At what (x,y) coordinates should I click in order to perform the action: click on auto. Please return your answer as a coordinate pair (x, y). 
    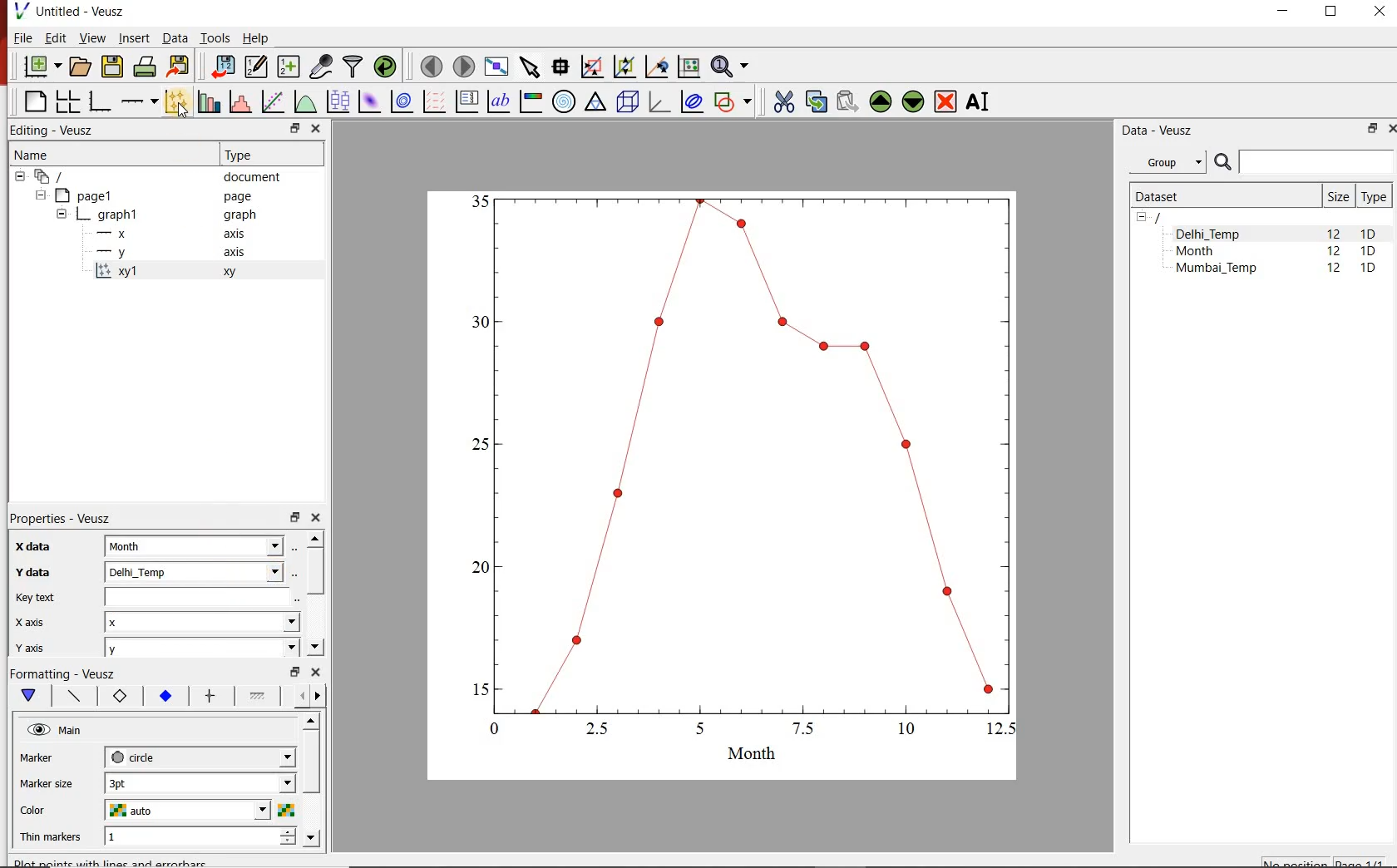
    Looking at the image, I should click on (199, 810).